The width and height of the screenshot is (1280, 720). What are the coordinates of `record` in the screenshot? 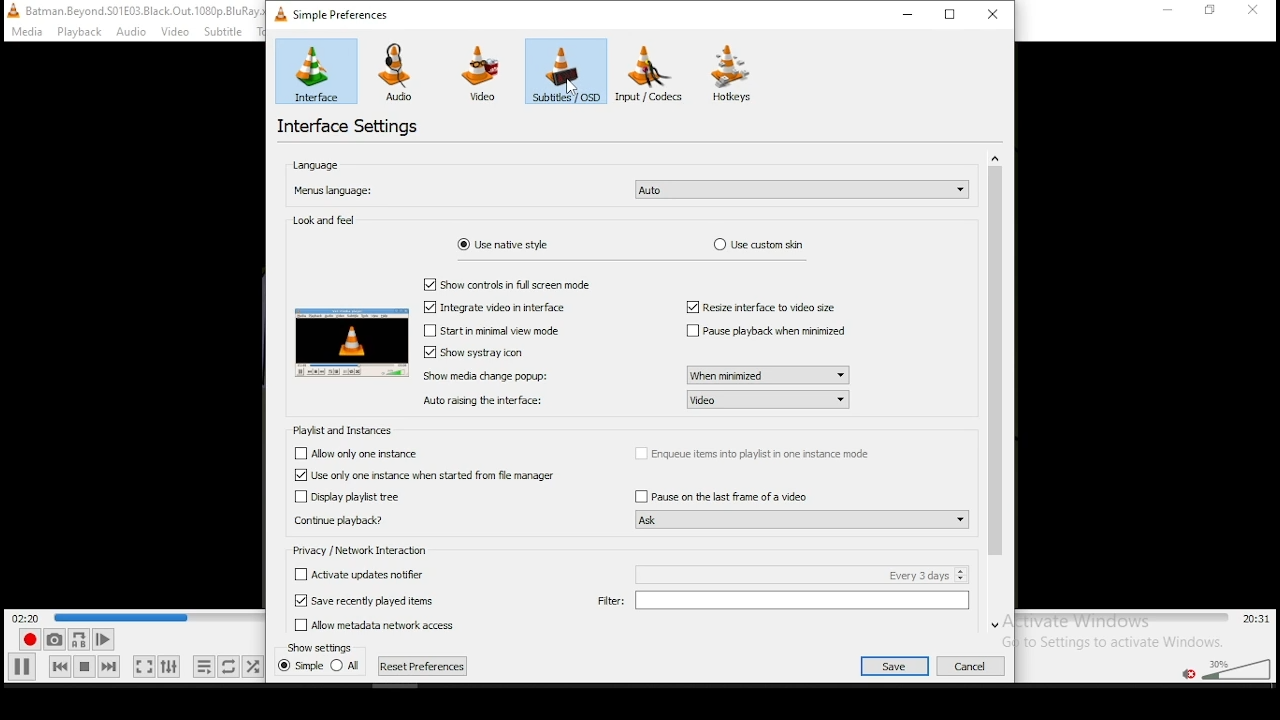 It's located at (30, 639).